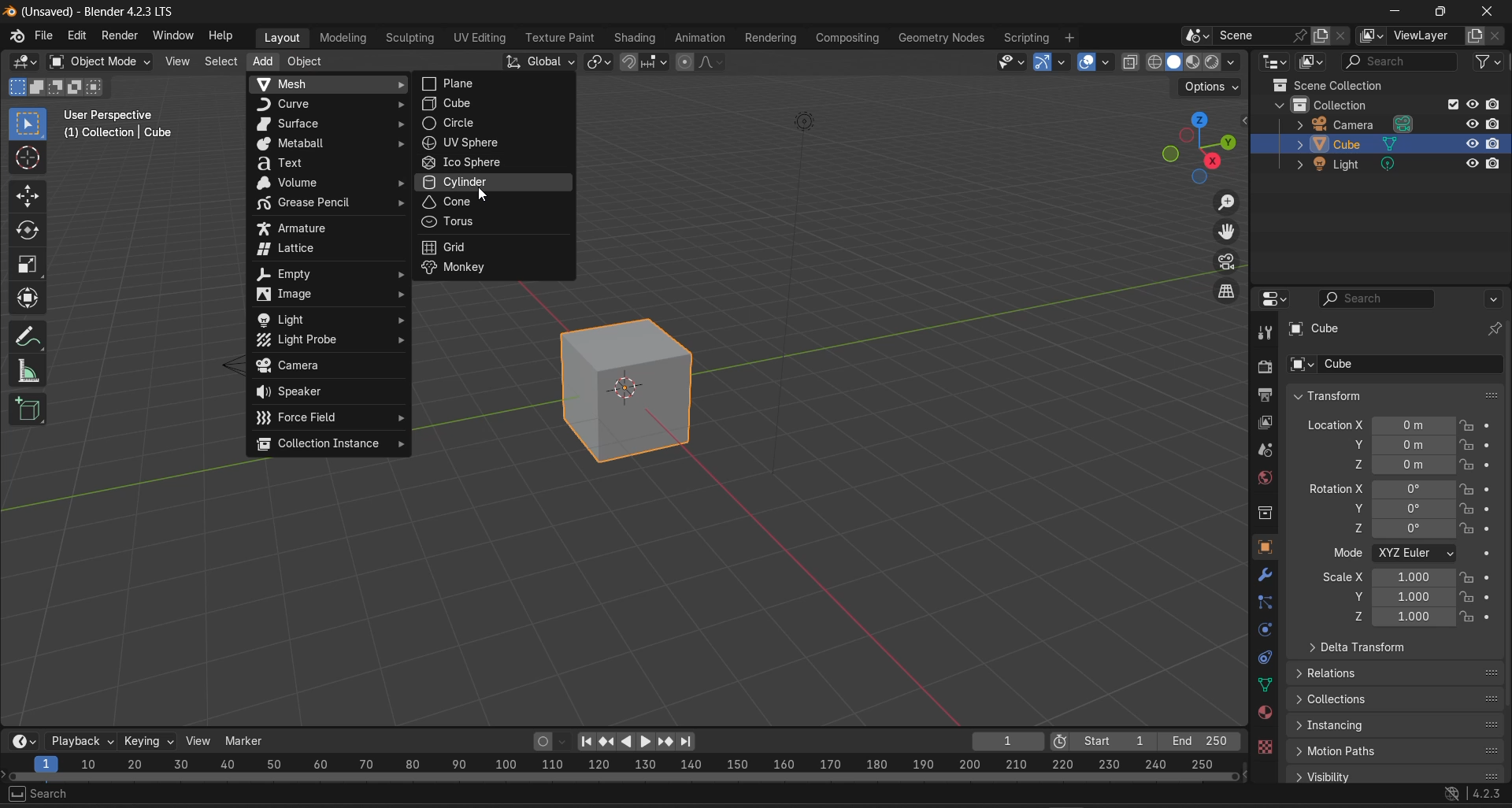  I want to click on meatball, so click(331, 143).